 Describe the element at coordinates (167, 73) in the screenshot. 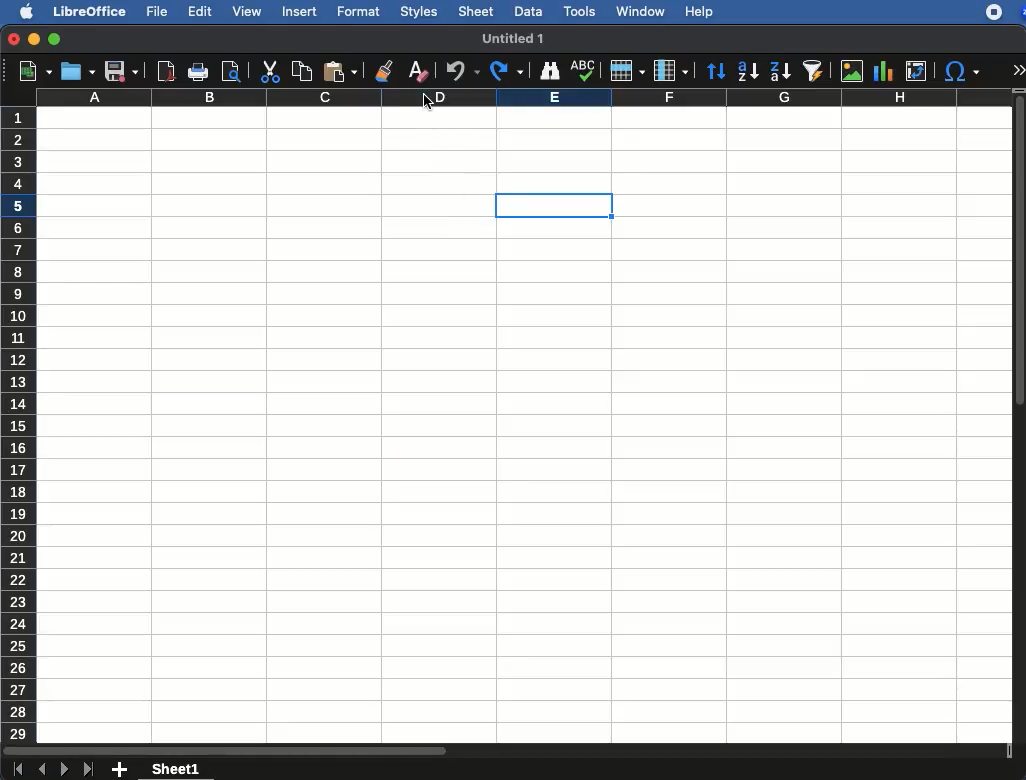

I see `pdf view` at that location.